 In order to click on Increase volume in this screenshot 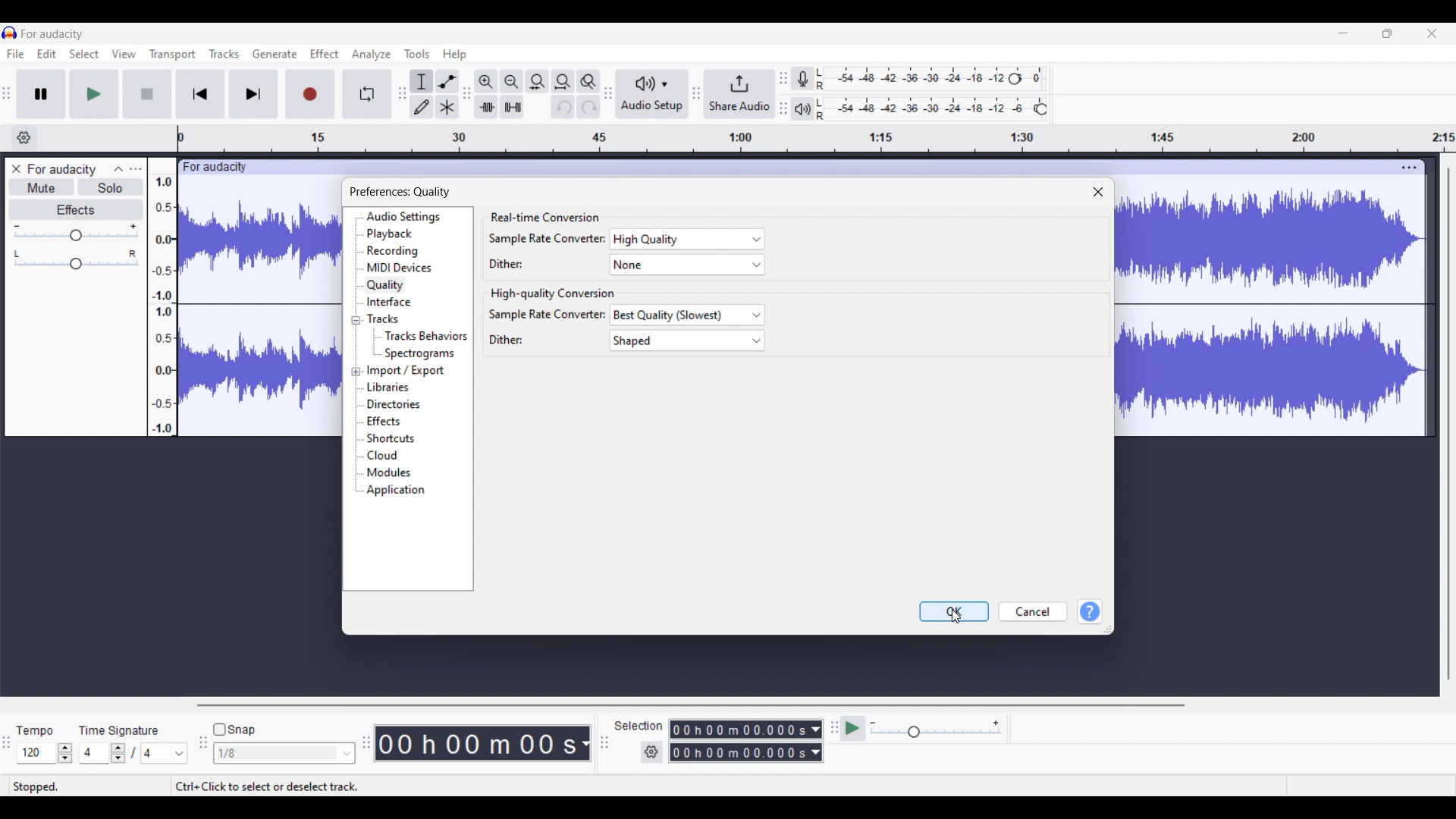, I will do `click(133, 226)`.